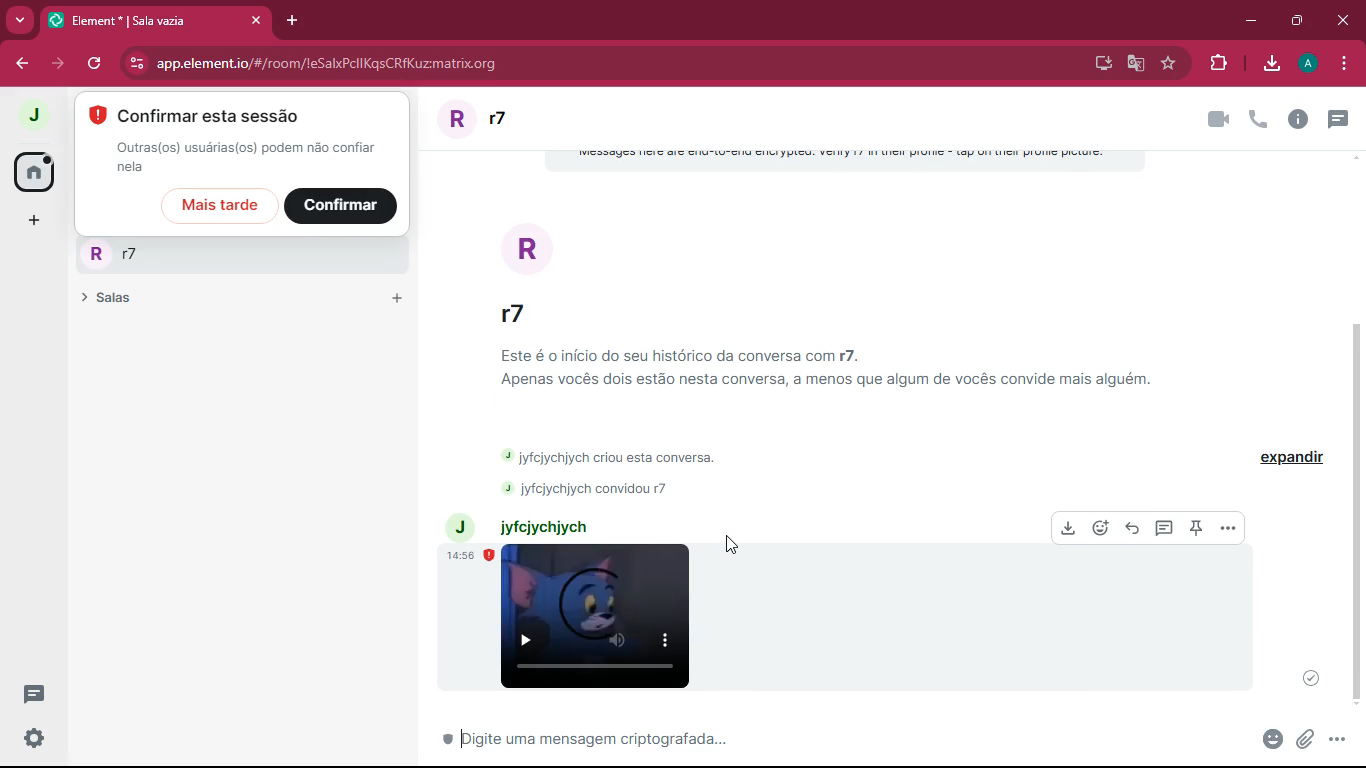 Image resolution: width=1366 pixels, height=768 pixels. Describe the element at coordinates (588, 492) in the screenshot. I see `j jyfcjychjych convidou r7` at that location.